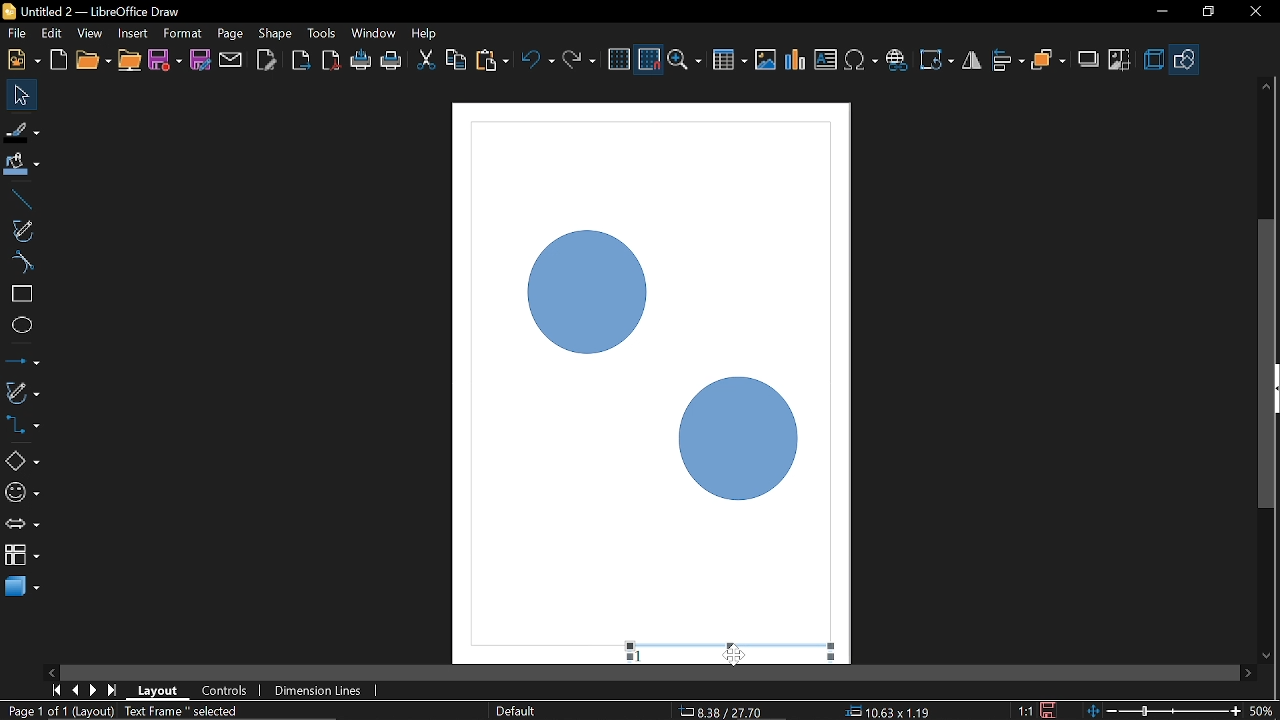 This screenshot has height=720, width=1280. I want to click on Text, so click(826, 60).